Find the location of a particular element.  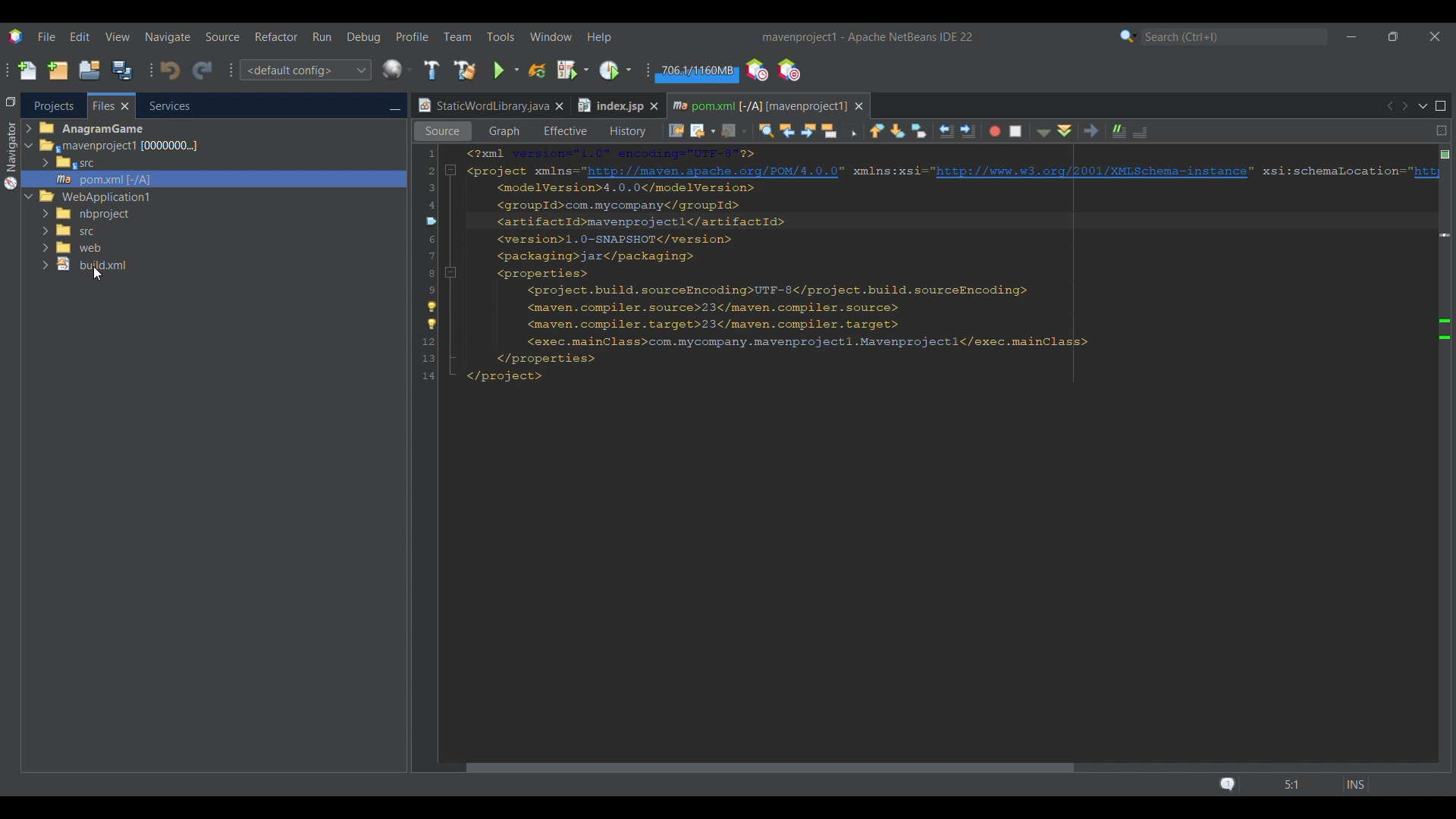

Undo is located at coordinates (170, 71).